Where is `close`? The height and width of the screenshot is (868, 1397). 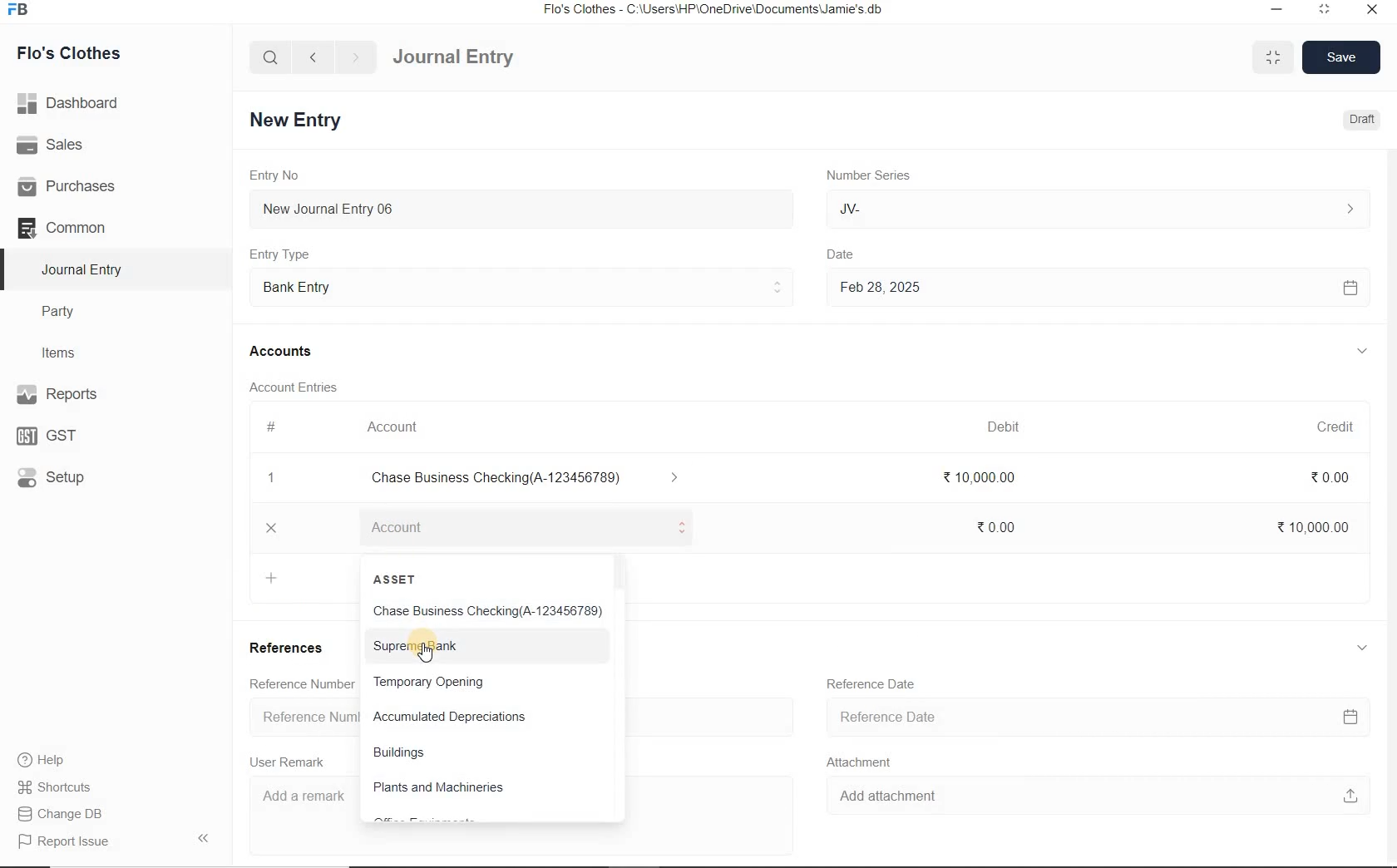 close is located at coordinates (1371, 8).